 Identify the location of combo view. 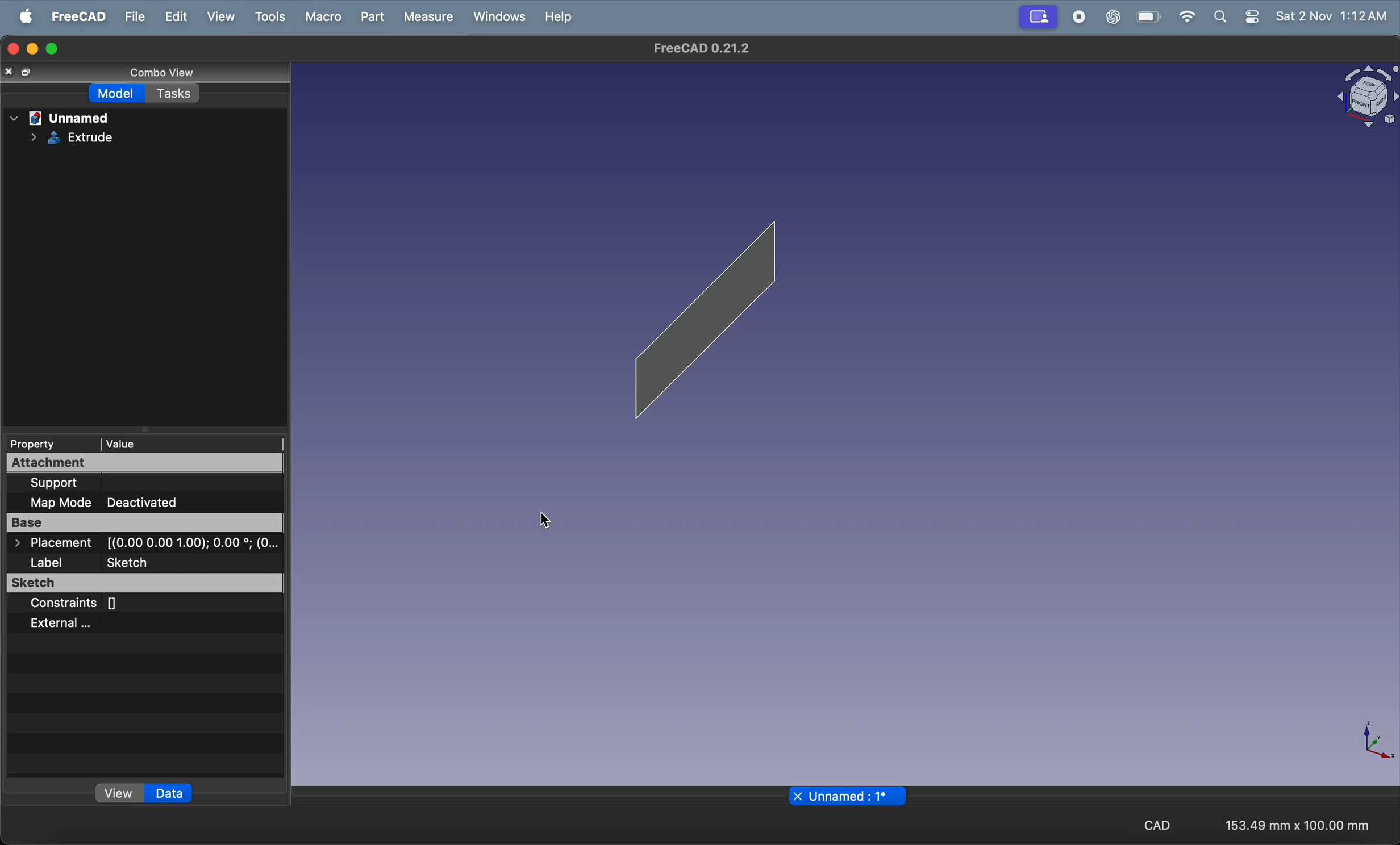
(170, 73).